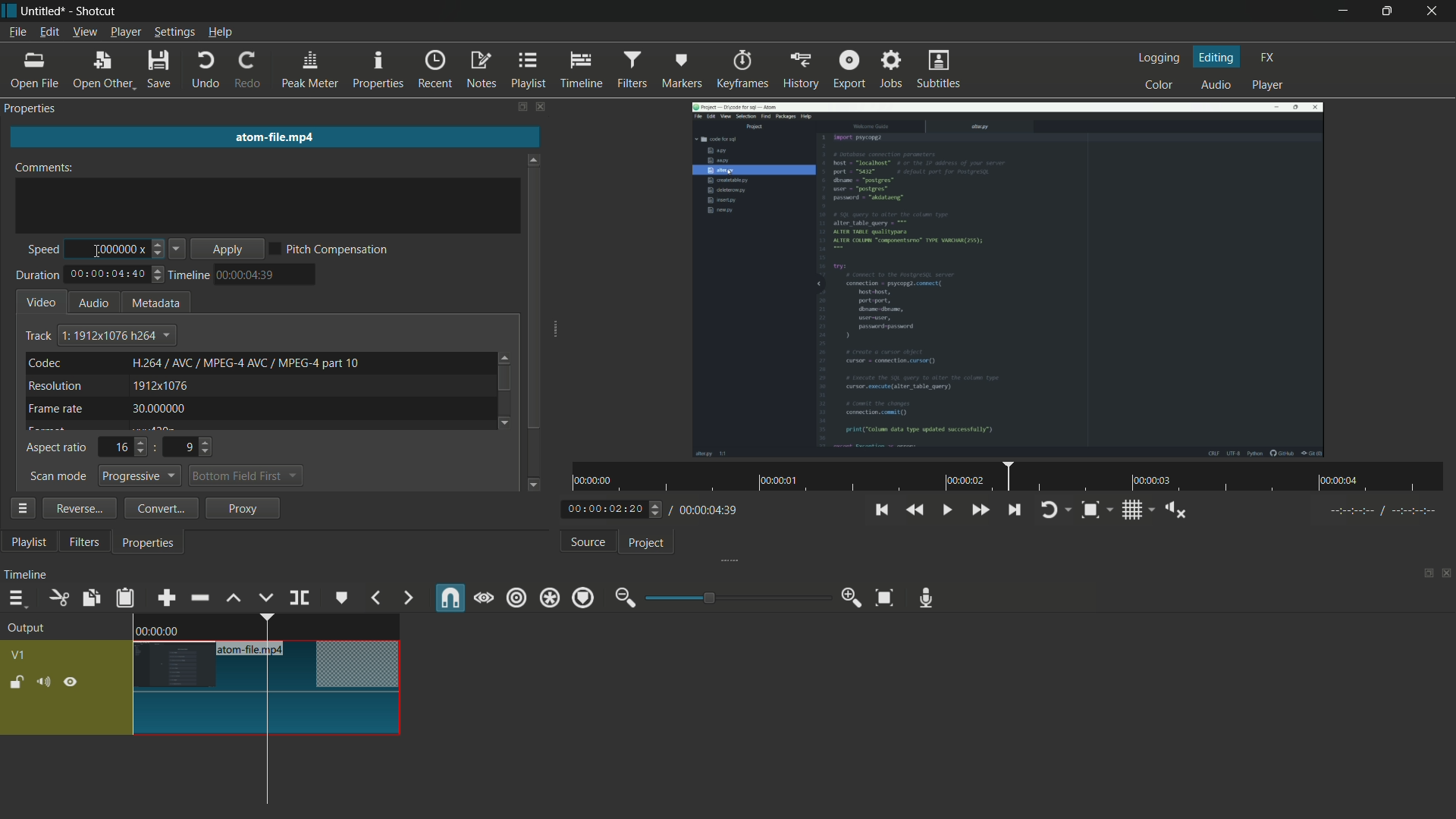  I want to click on codec, so click(45, 362).